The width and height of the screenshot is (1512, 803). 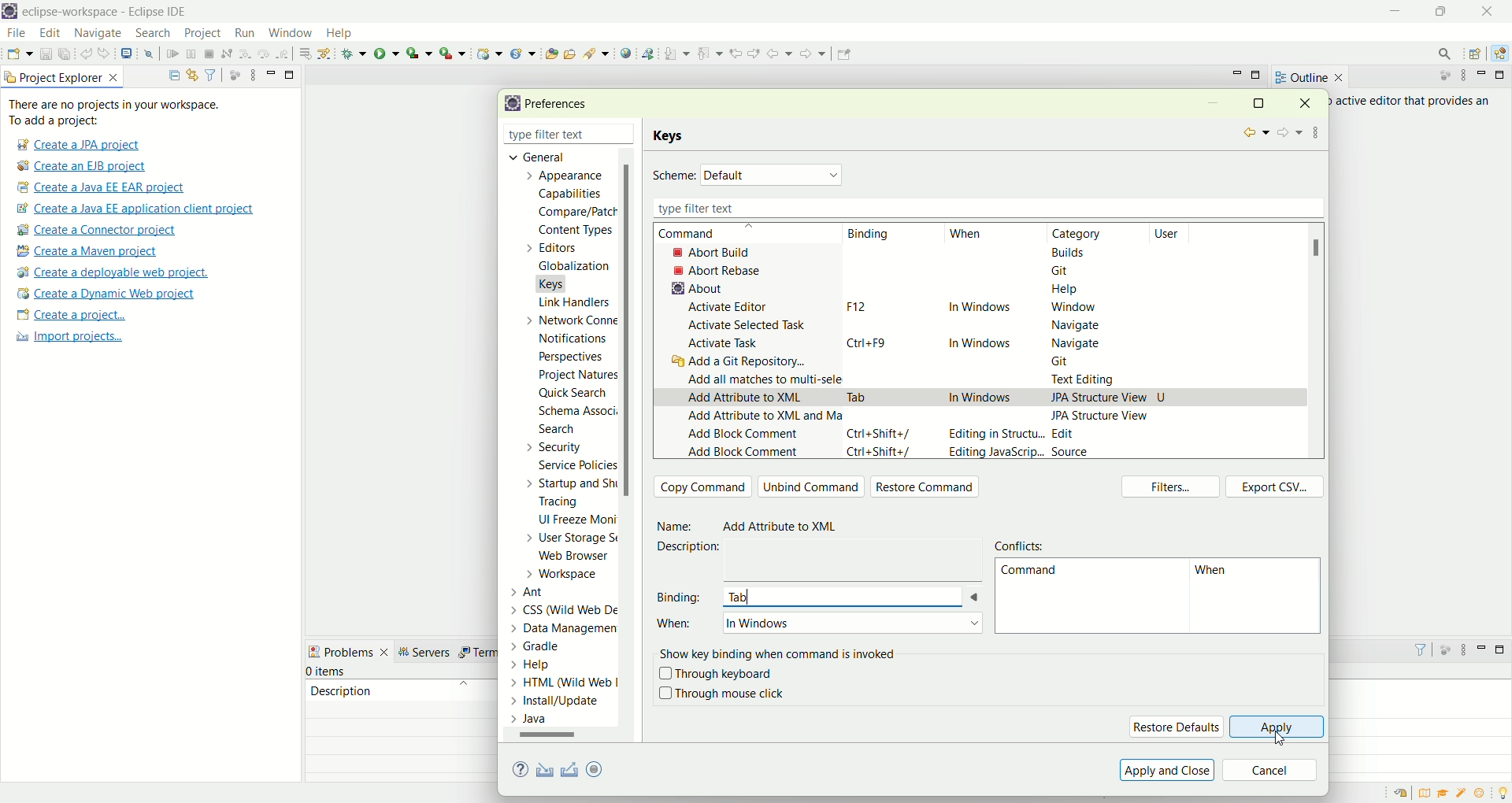 What do you see at coordinates (713, 52) in the screenshot?
I see `previous annotation` at bounding box center [713, 52].